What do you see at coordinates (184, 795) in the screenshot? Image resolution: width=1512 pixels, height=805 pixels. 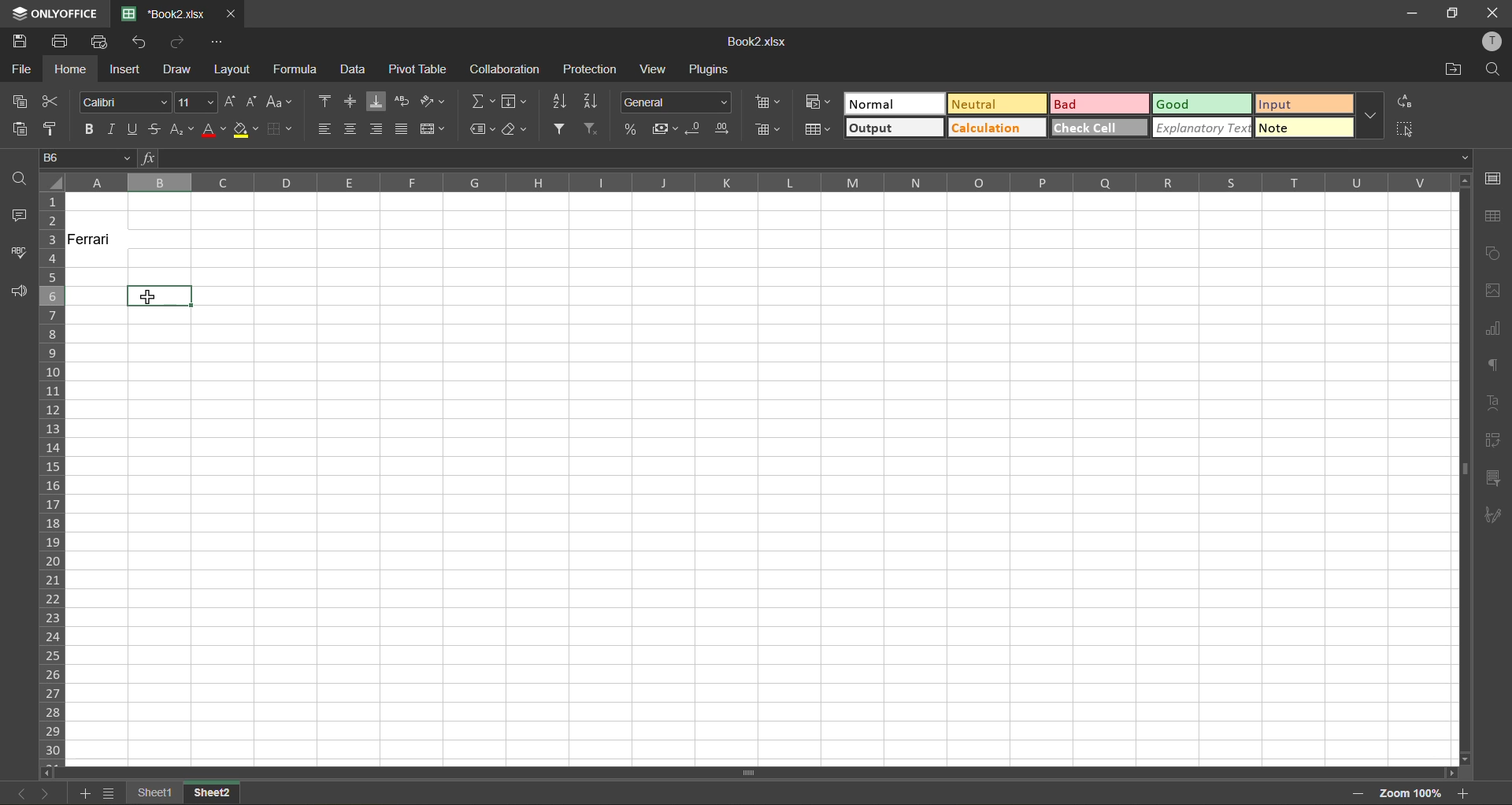 I see `sheet names` at bounding box center [184, 795].